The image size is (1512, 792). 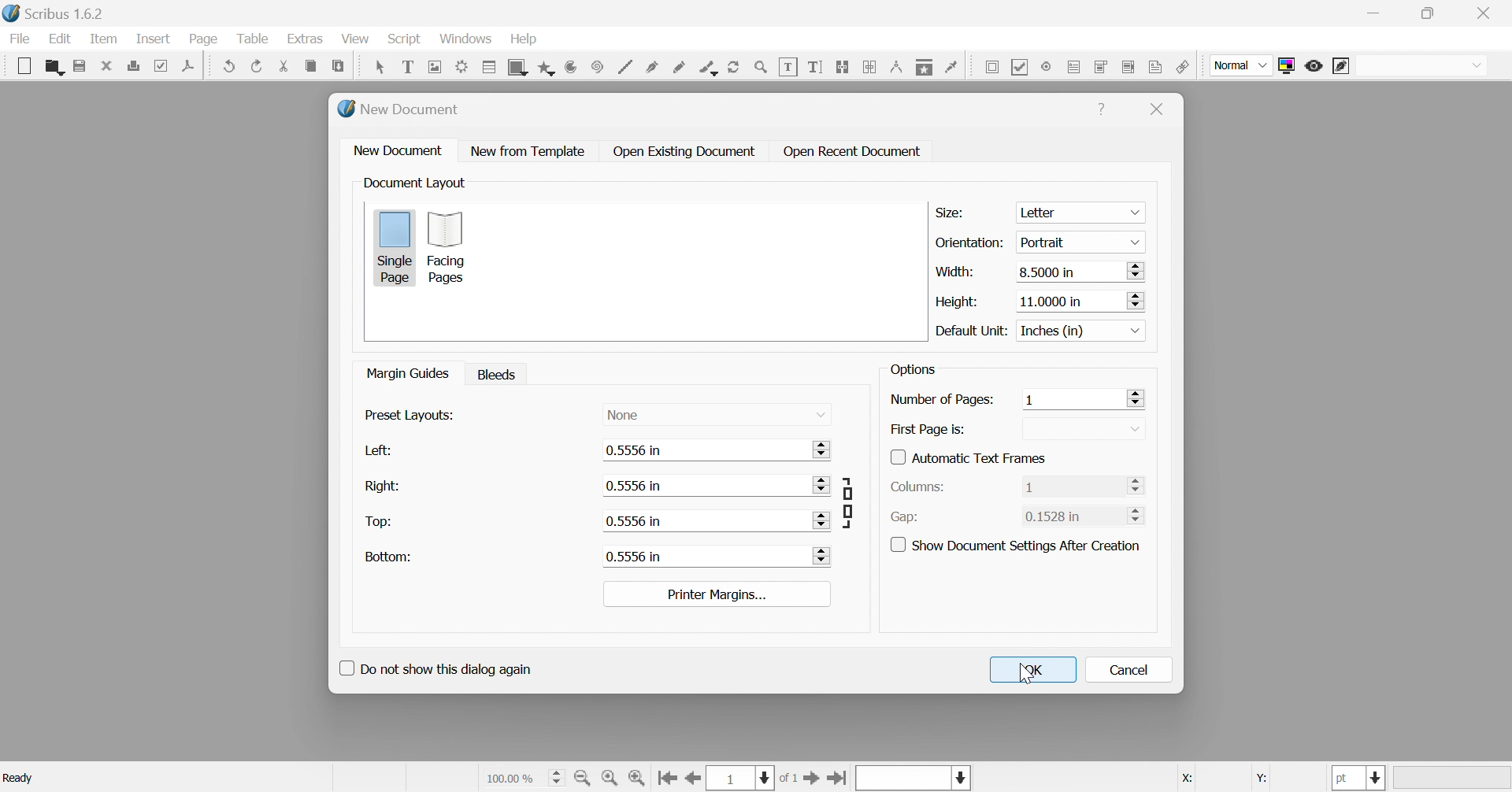 What do you see at coordinates (283, 65) in the screenshot?
I see `cut` at bounding box center [283, 65].